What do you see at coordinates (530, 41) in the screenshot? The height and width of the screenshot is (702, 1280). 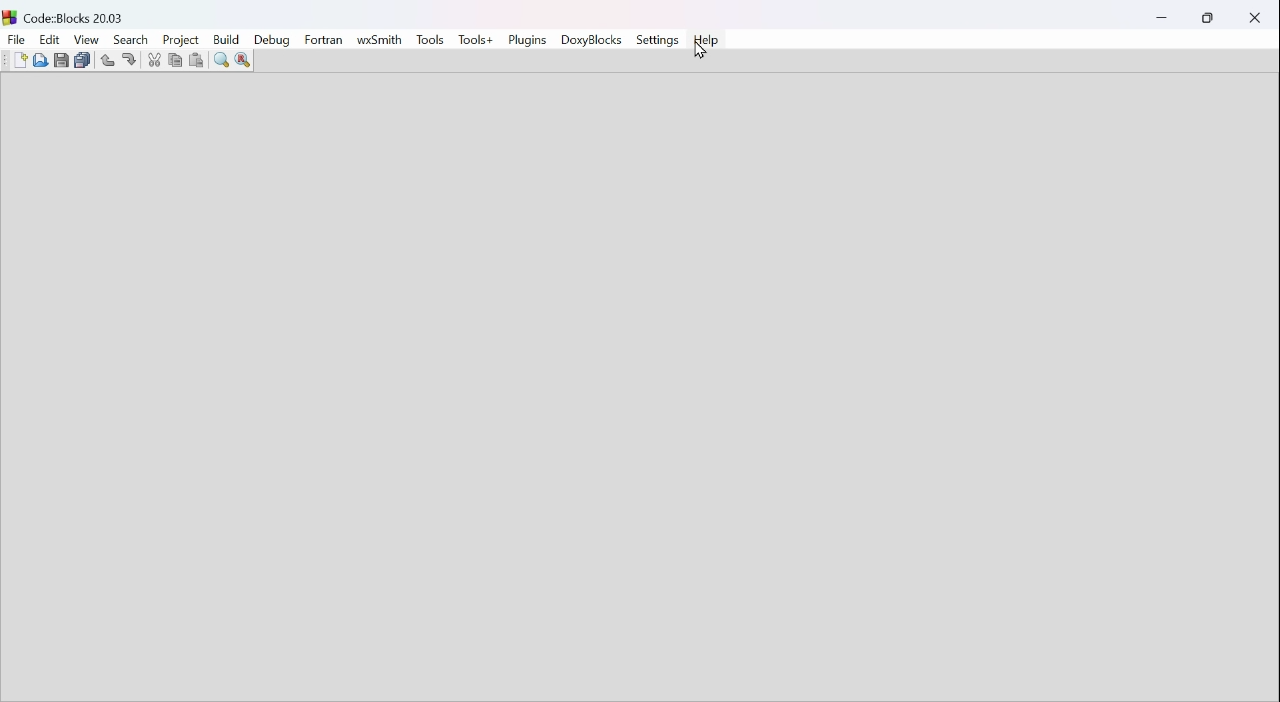 I see `Plugins` at bounding box center [530, 41].